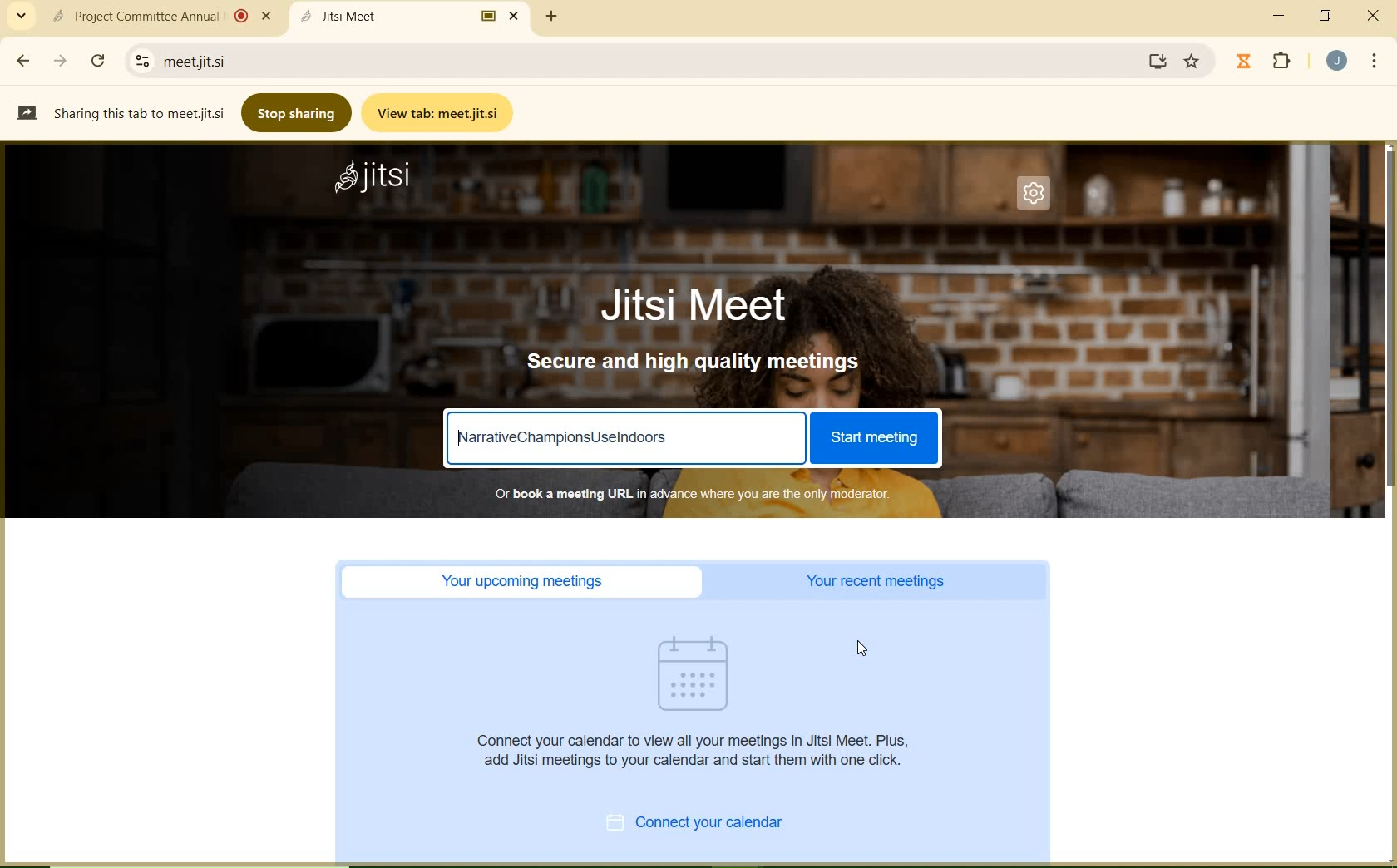 Image resolution: width=1397 pixels, height=868 pixels. What do you see at coordinates (23, 17) in the screenshot?
I see `search tabs` at bounding box center [23, 17].